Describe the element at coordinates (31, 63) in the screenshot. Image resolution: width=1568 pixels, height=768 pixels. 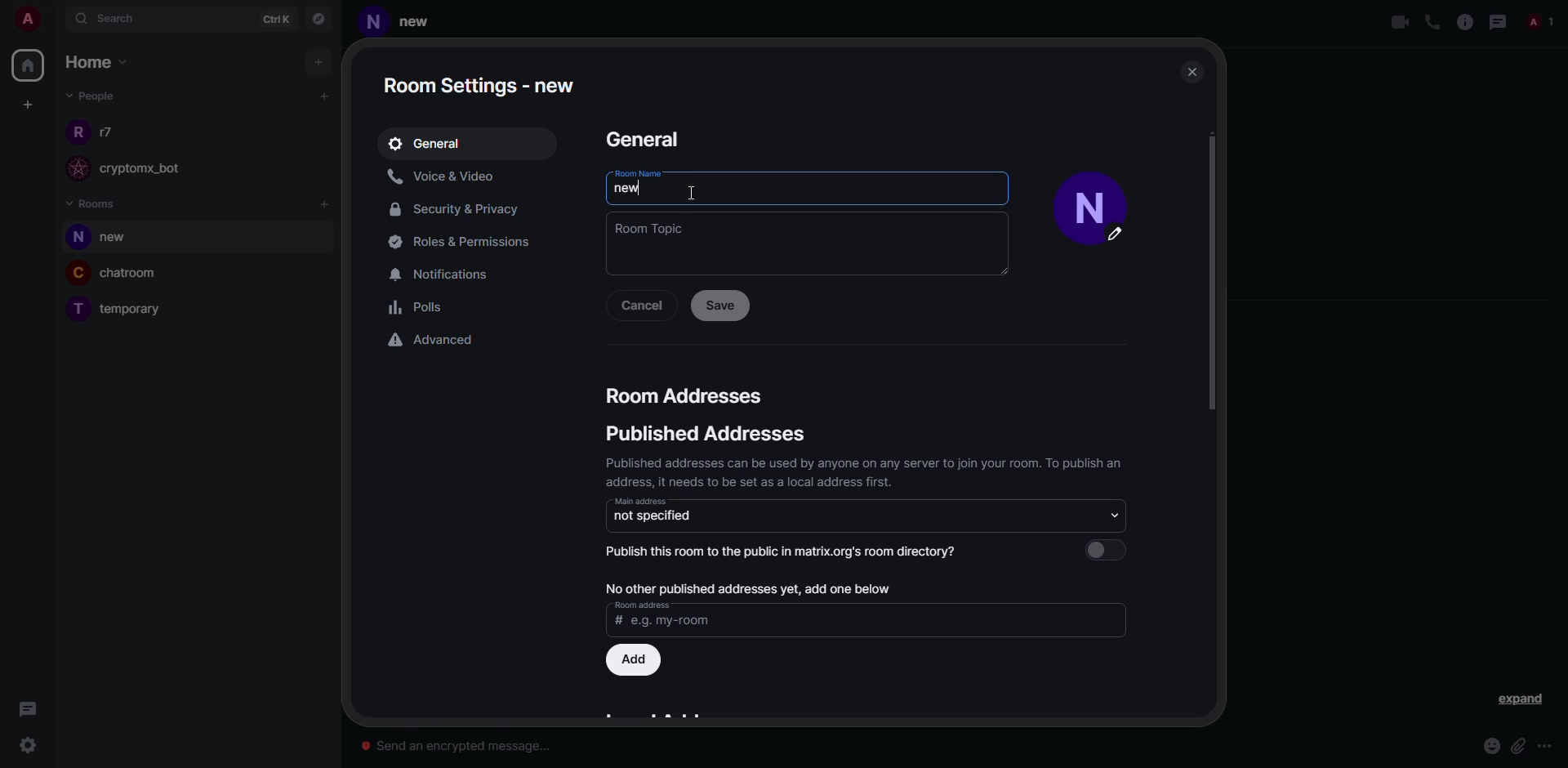
I see `home` at that location.